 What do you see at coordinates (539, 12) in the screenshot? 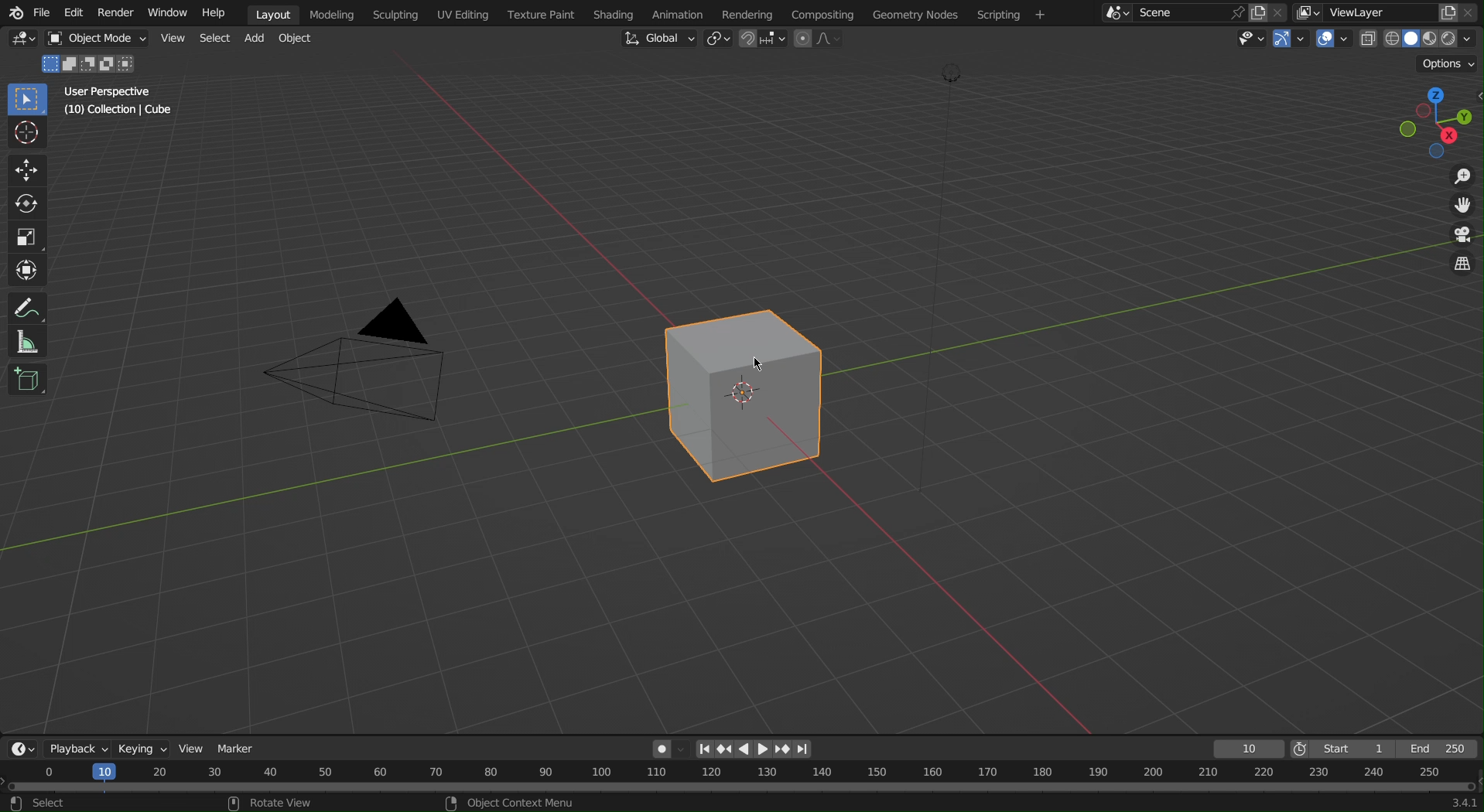
I see `Texture Paint` at bounding box center [539, 12].